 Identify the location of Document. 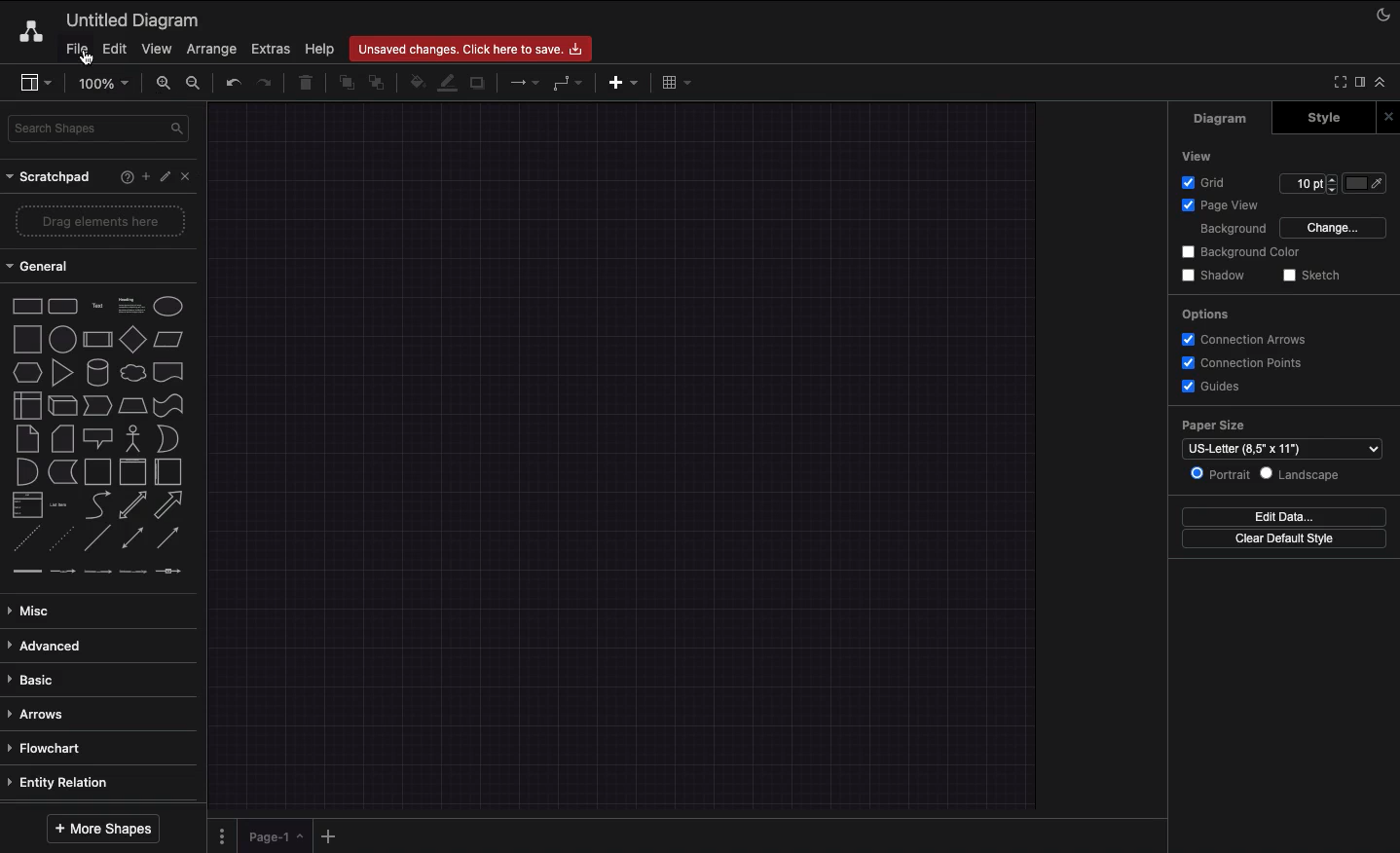
(169, 372).